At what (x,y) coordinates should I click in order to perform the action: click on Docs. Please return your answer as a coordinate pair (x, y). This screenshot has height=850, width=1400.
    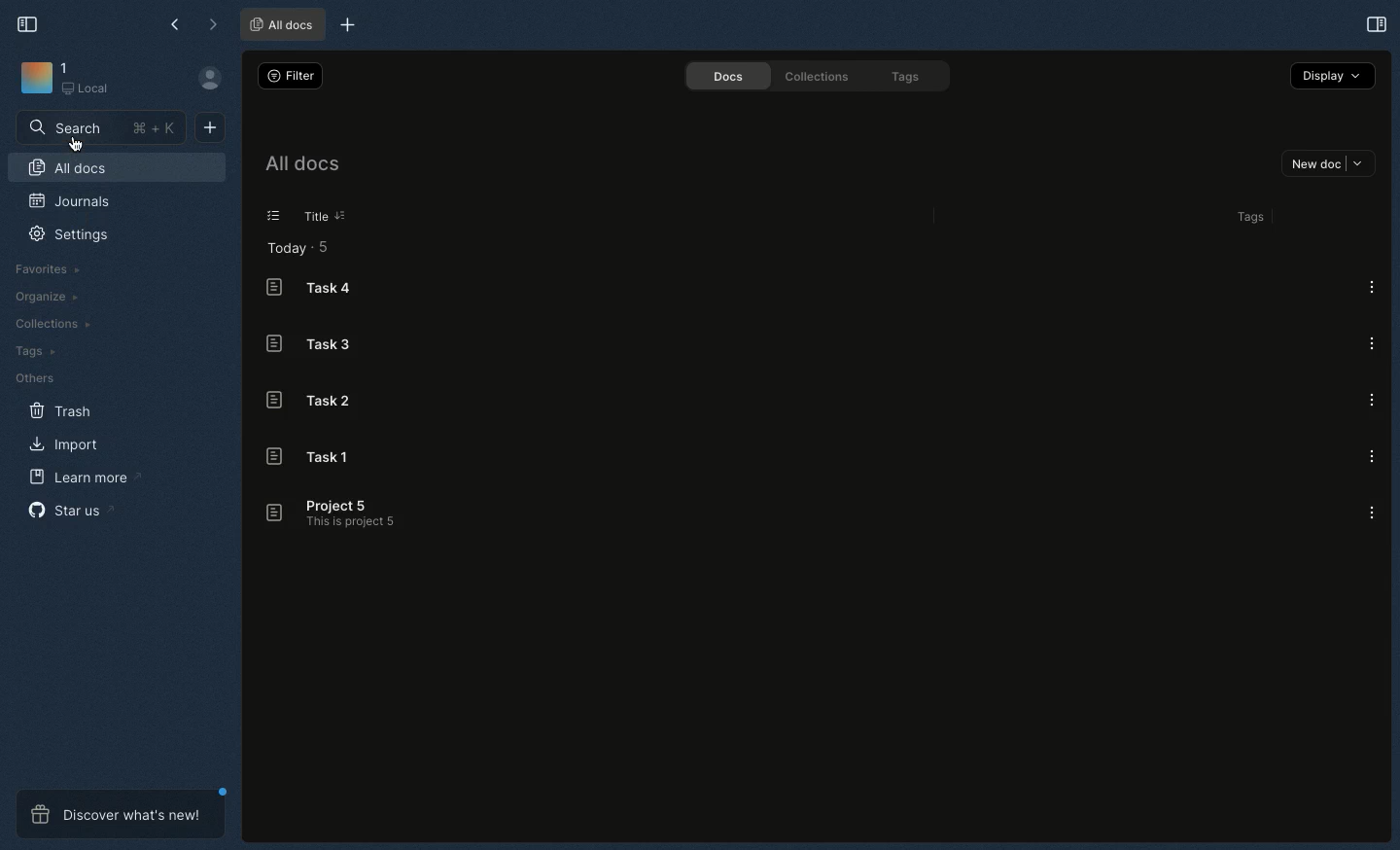
    Looking at the image, I should click on (723, 75).